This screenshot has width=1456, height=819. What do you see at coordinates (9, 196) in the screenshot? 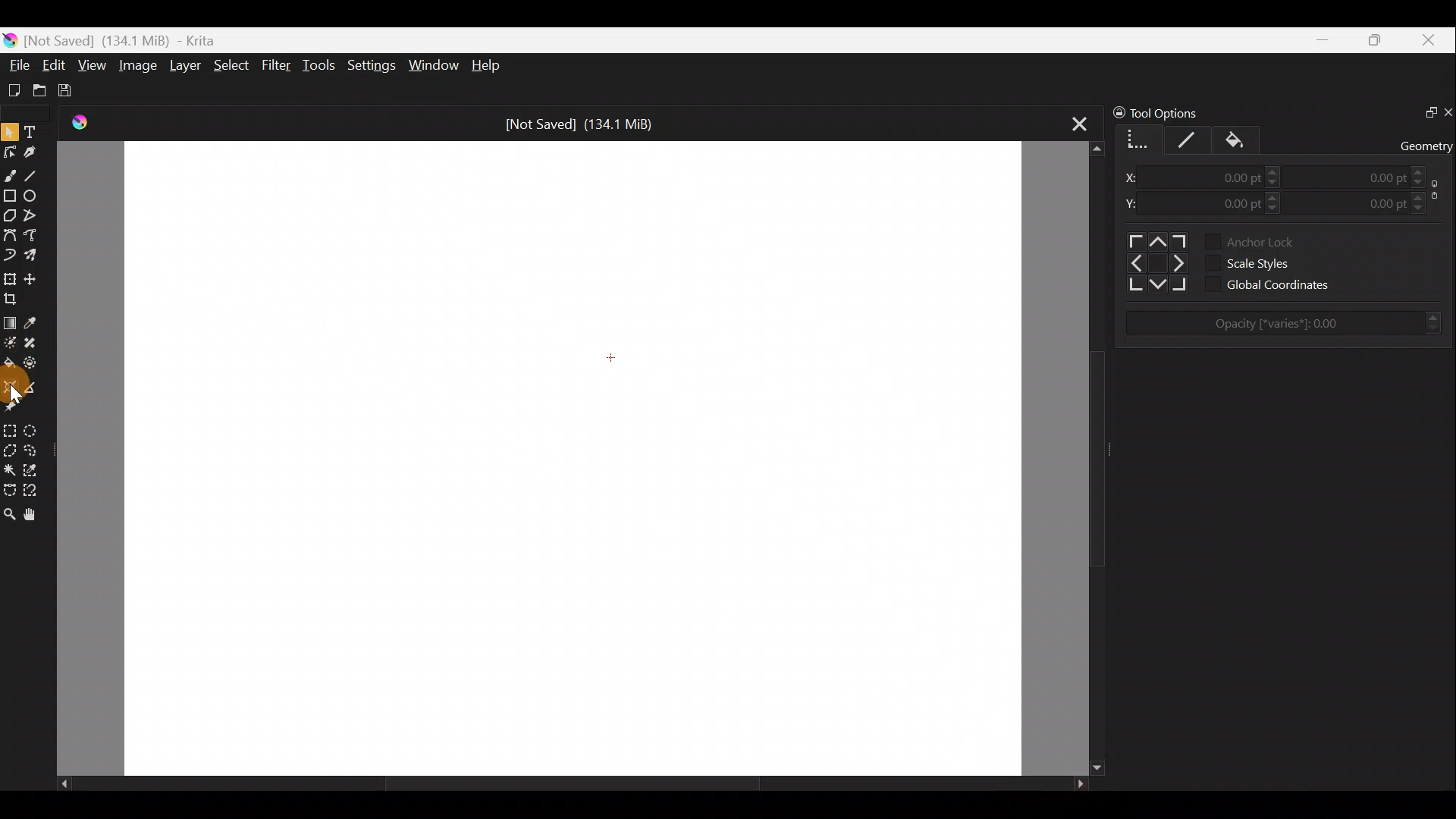
I see `Rectangle` at bounding box center [9, 196].